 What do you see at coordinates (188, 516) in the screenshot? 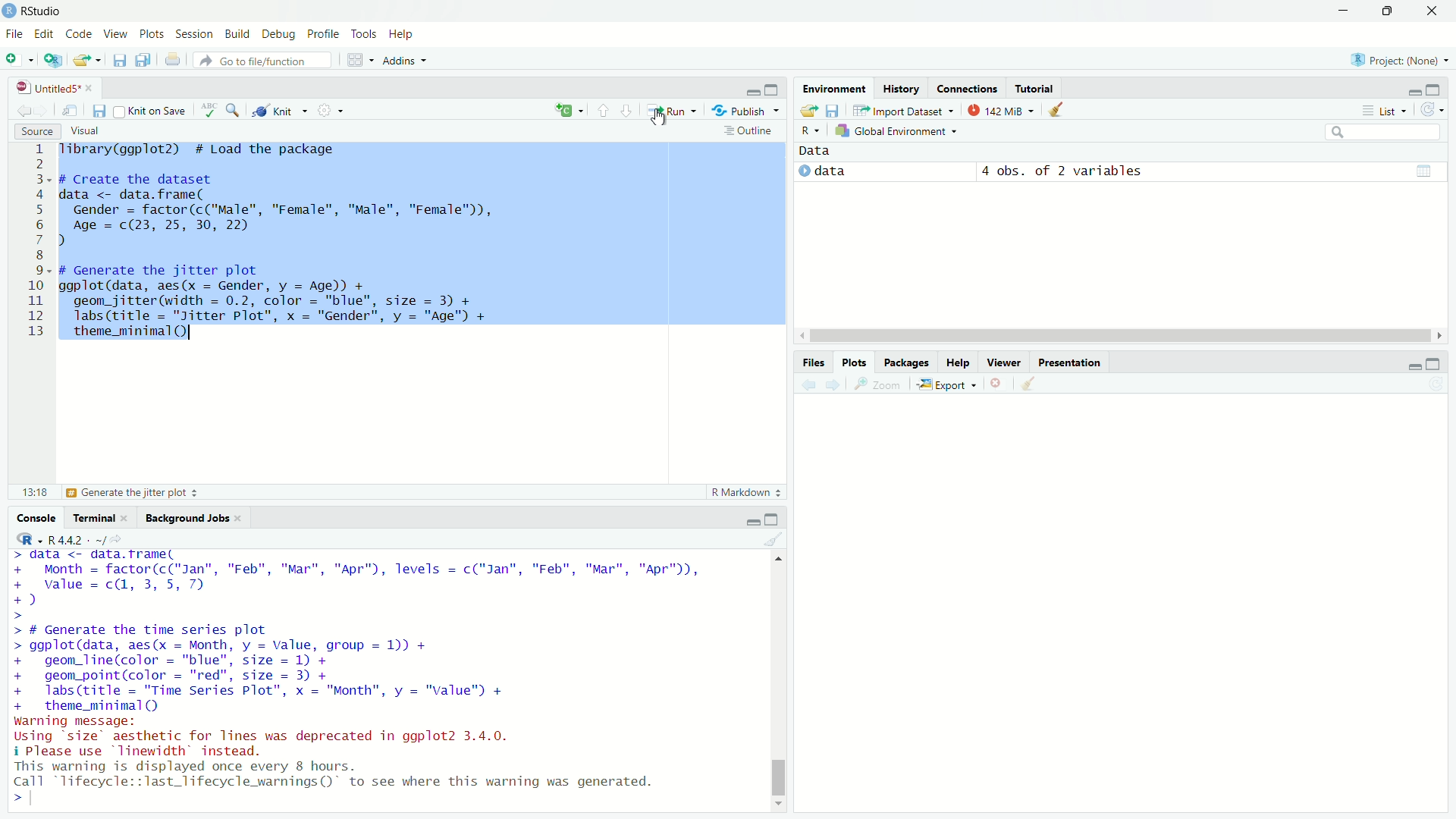
I see `background jobs` at bounding box center [188, 516].